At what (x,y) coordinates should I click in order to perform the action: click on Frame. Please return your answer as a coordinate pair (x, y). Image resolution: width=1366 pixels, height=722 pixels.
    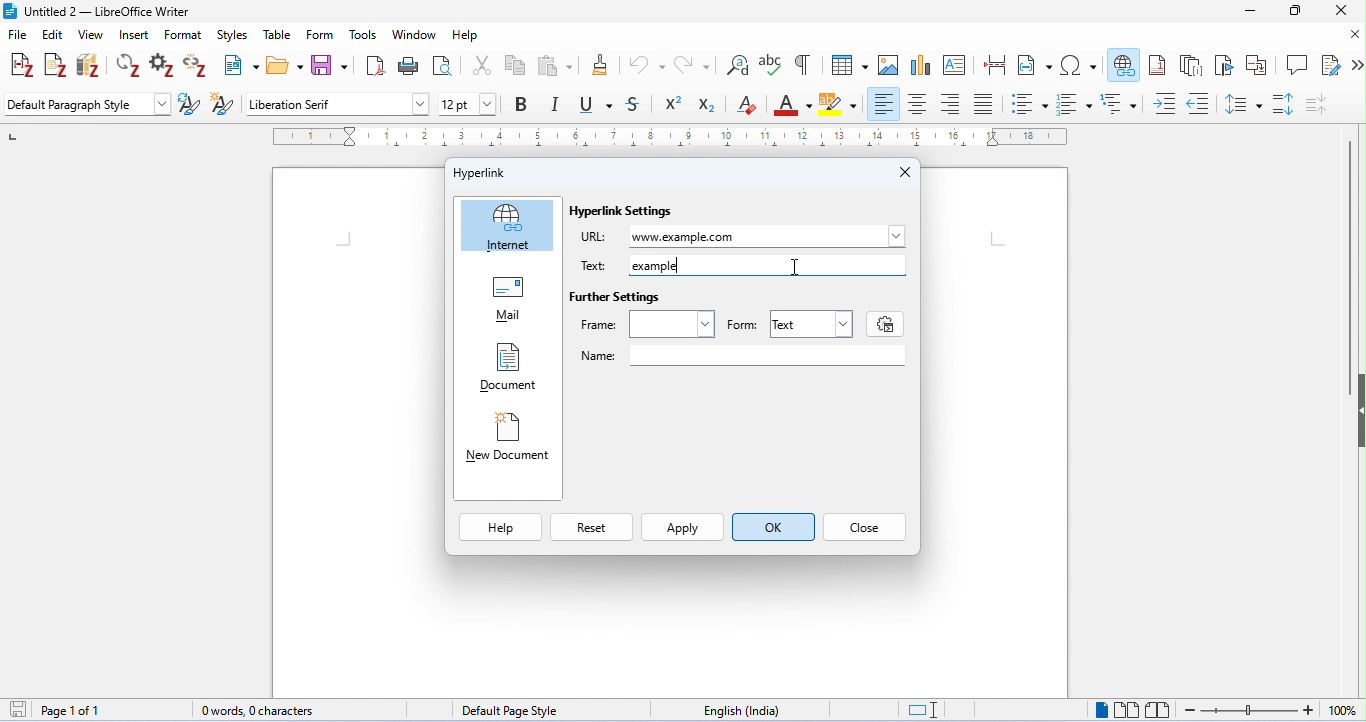
    Looking at the image, I should click on (597, 320).